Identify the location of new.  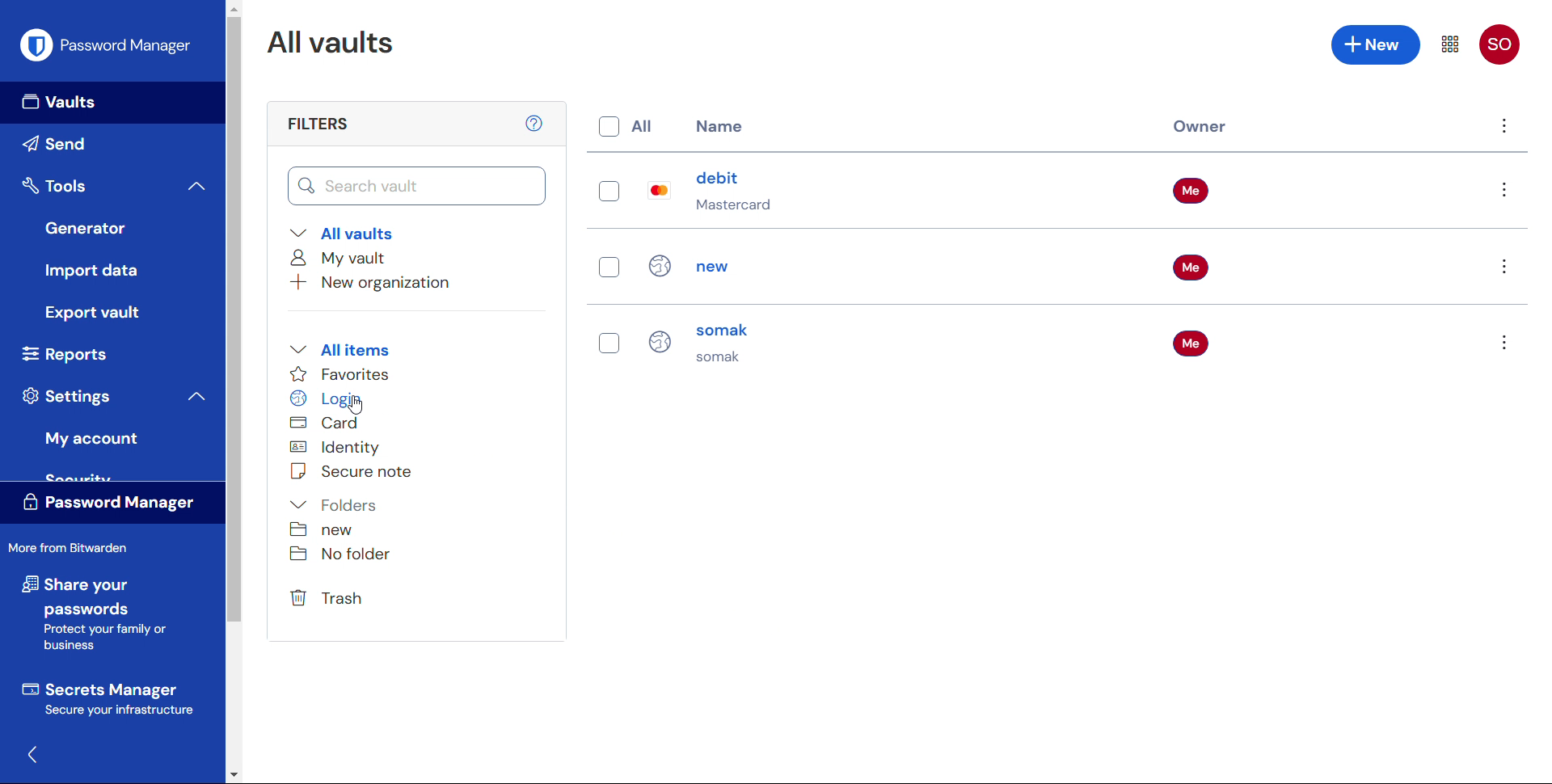
(719, 263).